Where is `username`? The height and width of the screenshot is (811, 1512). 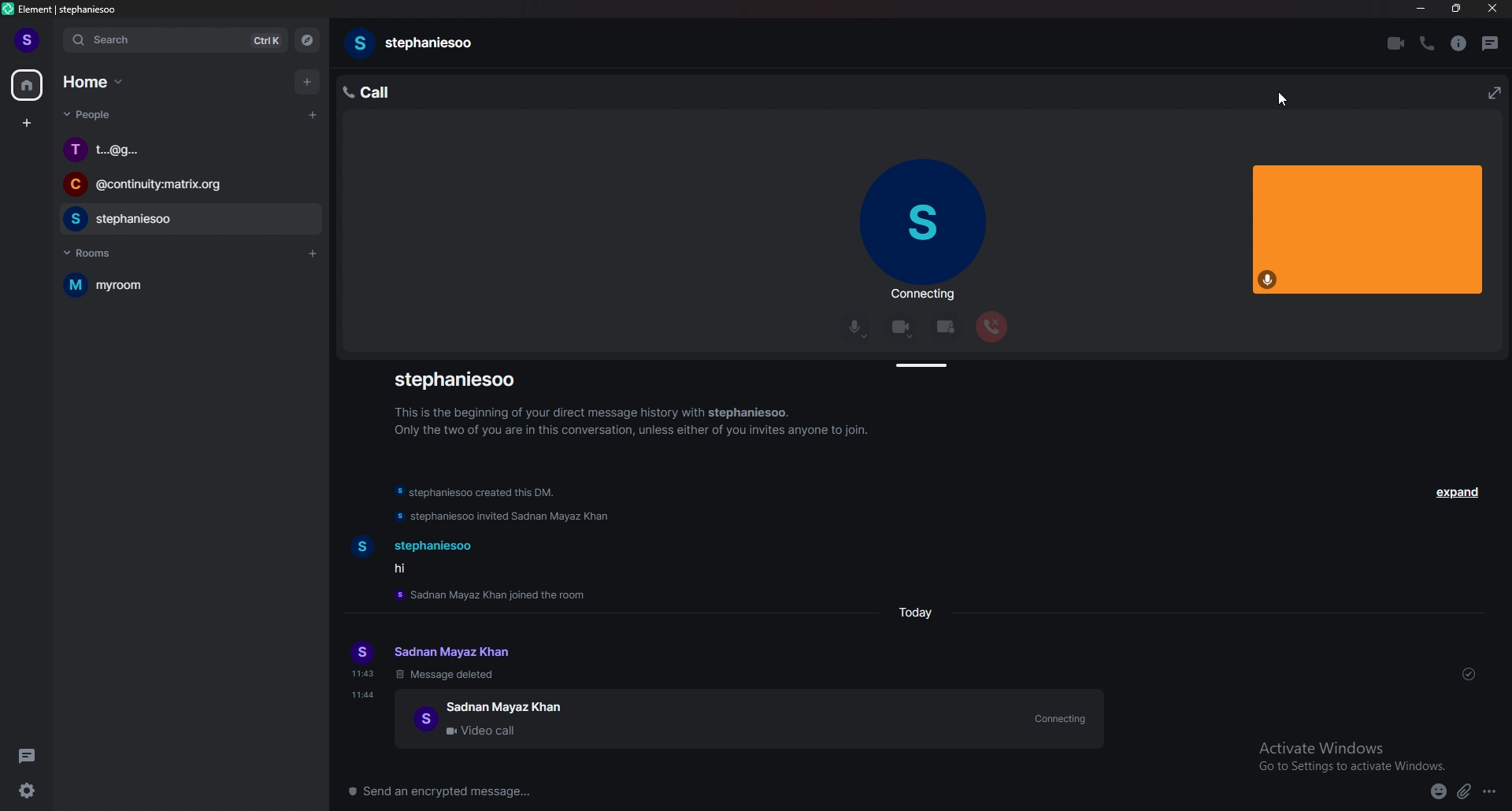
username is located at coordinates (461, 379).